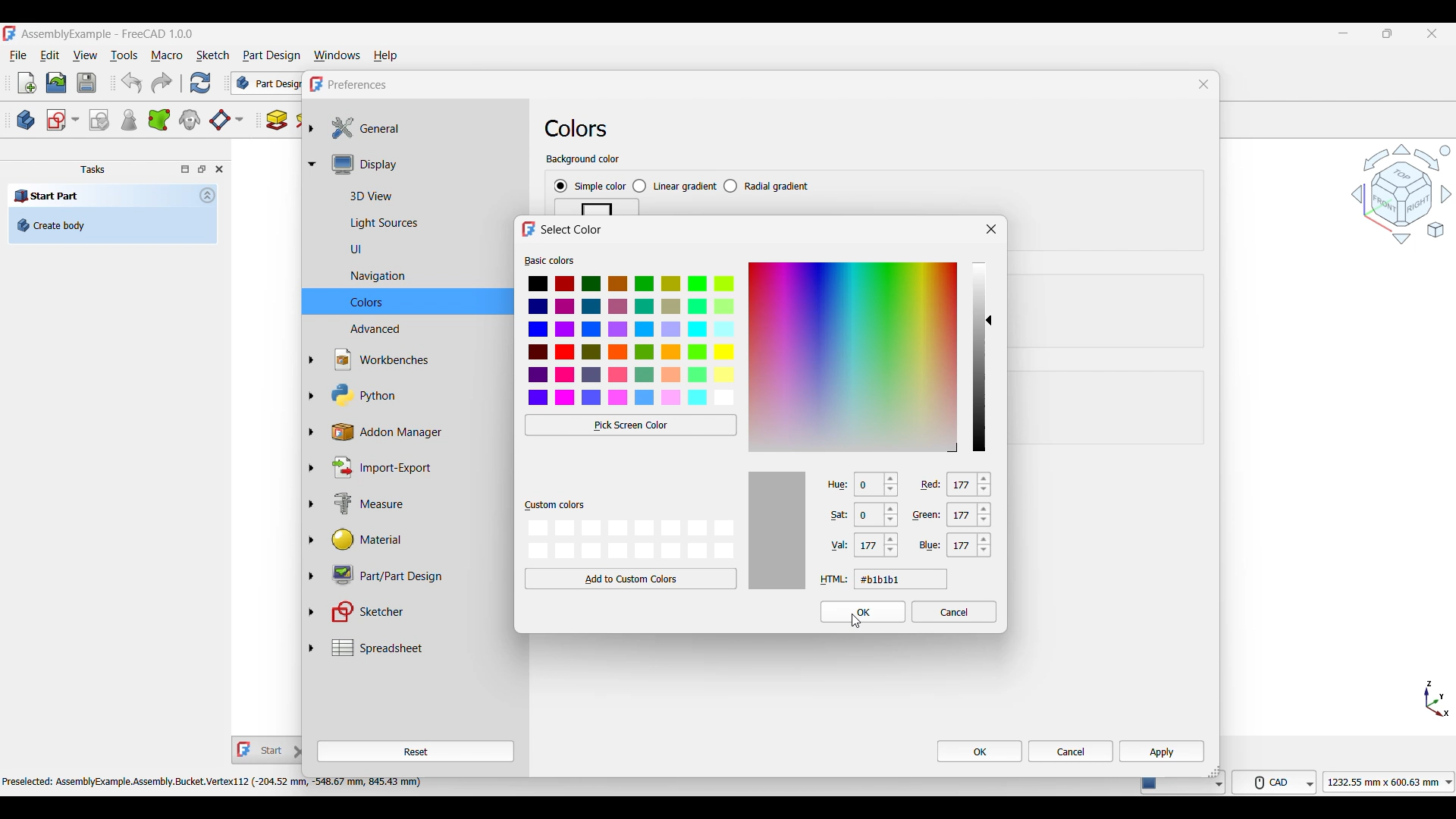 This screenshot has width=1456, height=819. I want to click on Toggle overlay, so click(185, 169).